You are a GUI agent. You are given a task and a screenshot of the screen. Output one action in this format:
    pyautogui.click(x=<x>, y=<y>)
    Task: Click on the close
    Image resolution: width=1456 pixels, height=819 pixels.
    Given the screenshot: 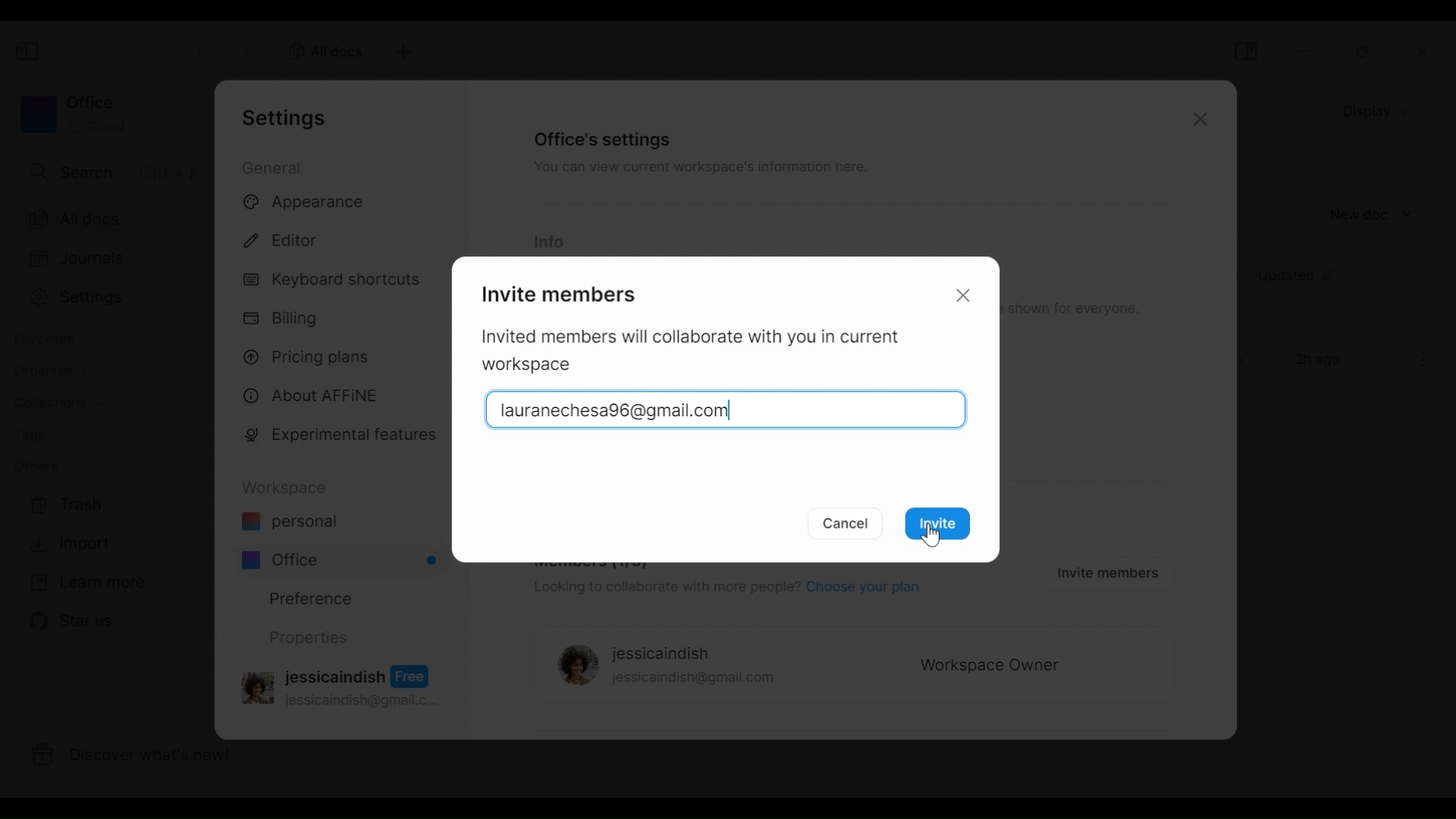 What is the action you would take?
    pyautogui.click(x=1426, y=52)
    